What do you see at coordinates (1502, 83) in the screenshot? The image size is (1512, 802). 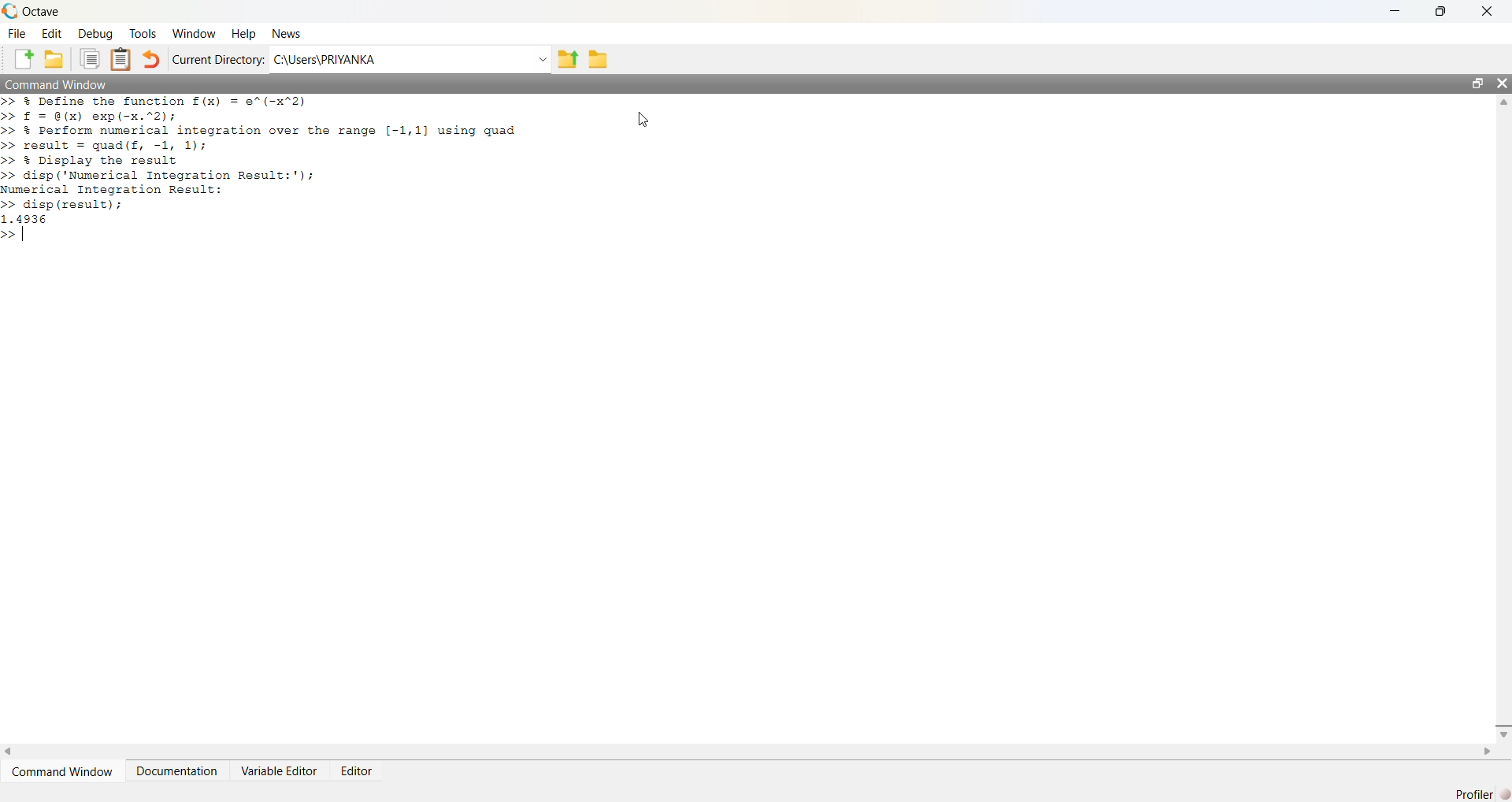 I see `close` at bounding box center [1502, 83].